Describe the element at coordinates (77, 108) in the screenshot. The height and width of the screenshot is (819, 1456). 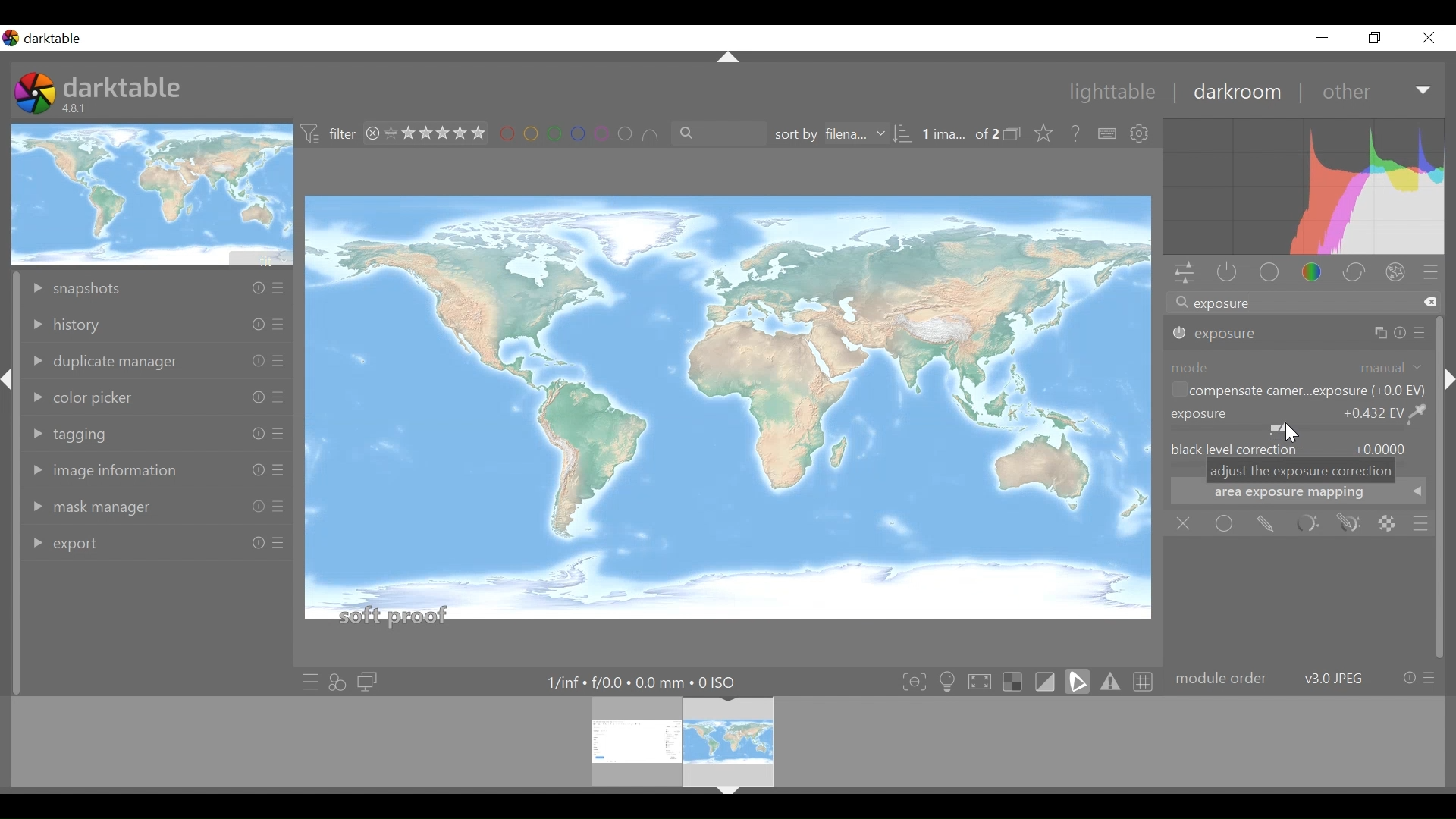
I see `Version` at that location.